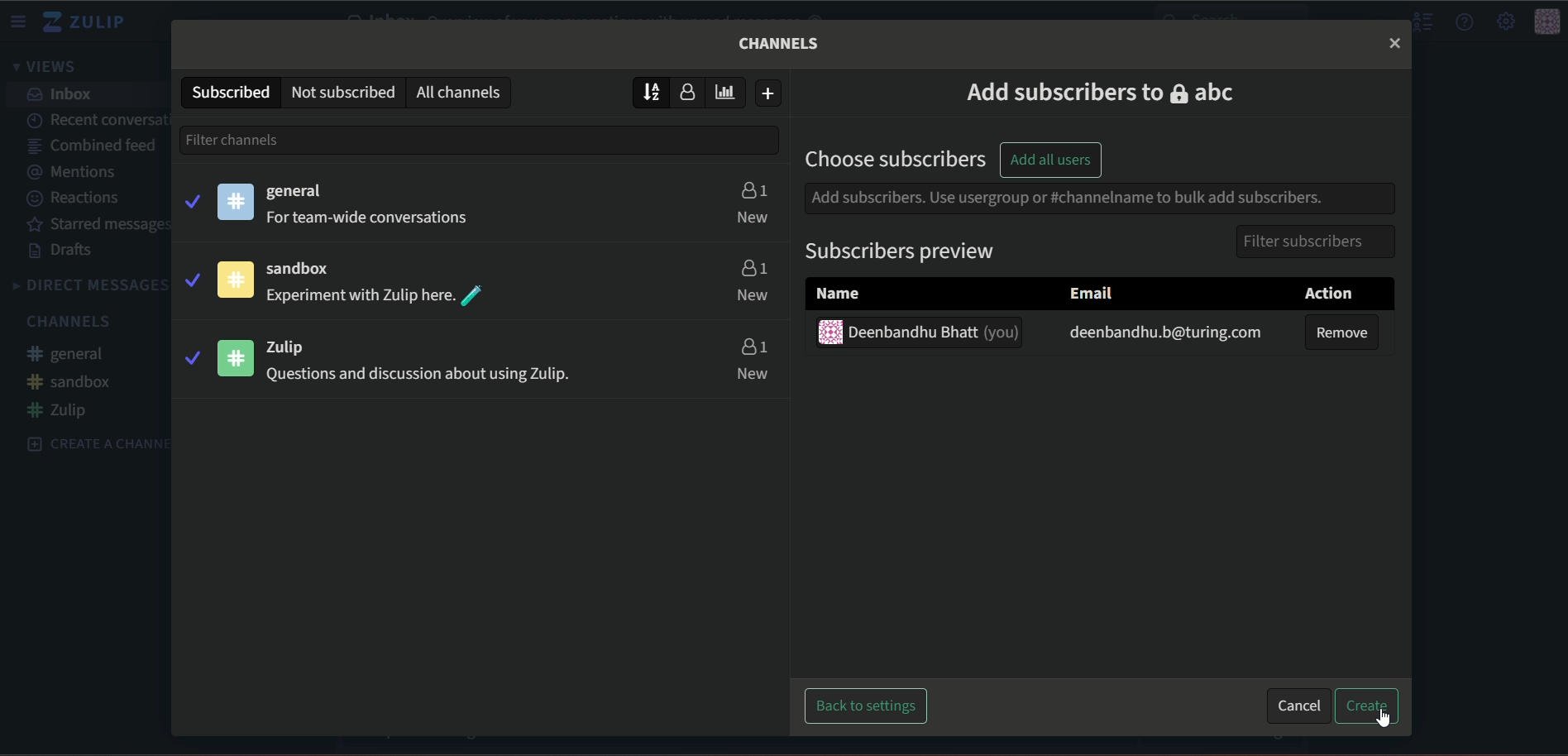 The height and width of the screenshot is (756, 1568). What do you see at coordinates (237, 279) in the screenshot?
I see `icon` at bounding box center [237, 279].